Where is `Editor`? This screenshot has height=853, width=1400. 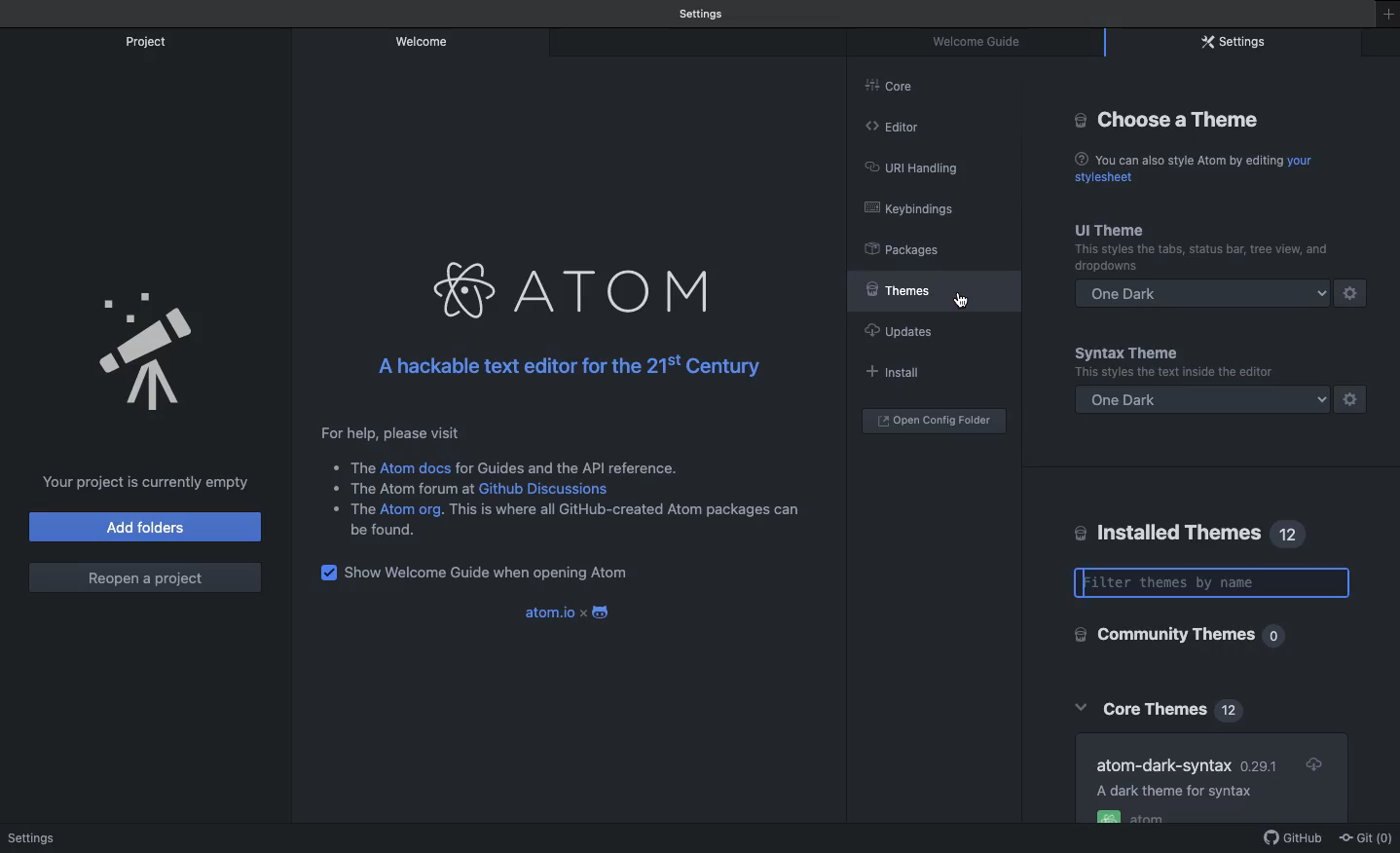
Editor is located at coordinates (901, 126).